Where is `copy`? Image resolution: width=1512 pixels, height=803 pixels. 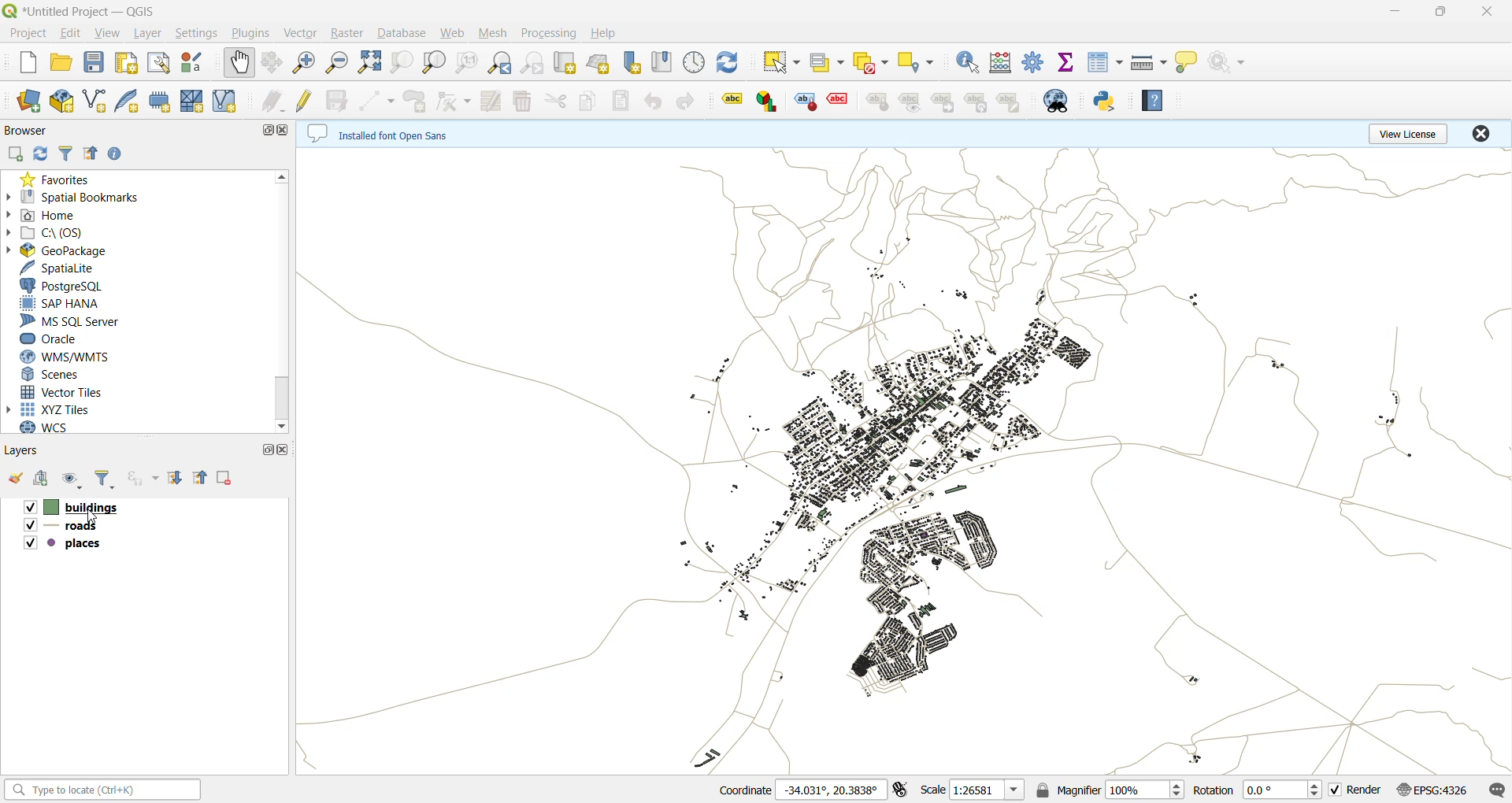
copy is located at coordinates (592, 102).